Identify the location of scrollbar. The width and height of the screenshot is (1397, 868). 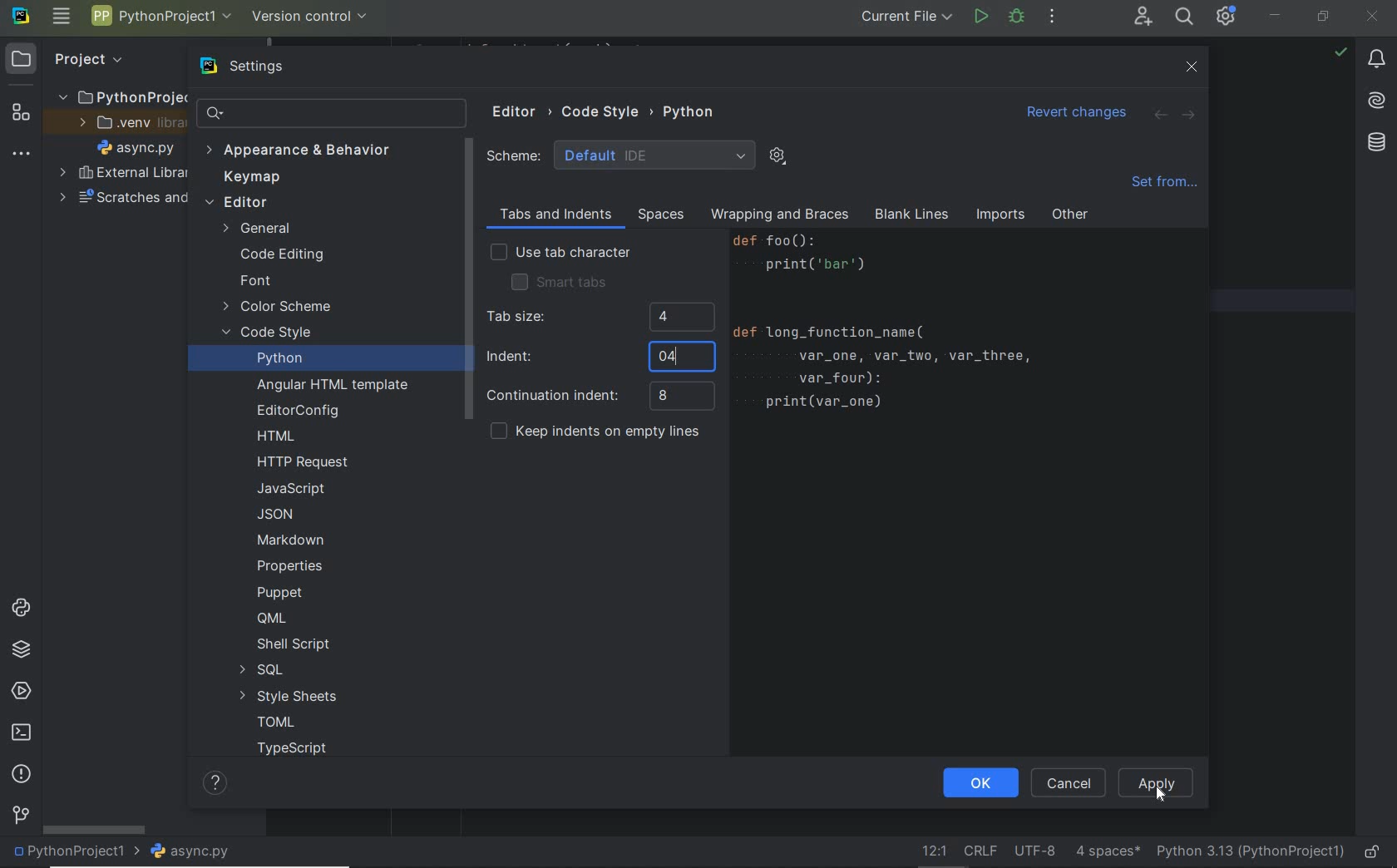
(466, 281).